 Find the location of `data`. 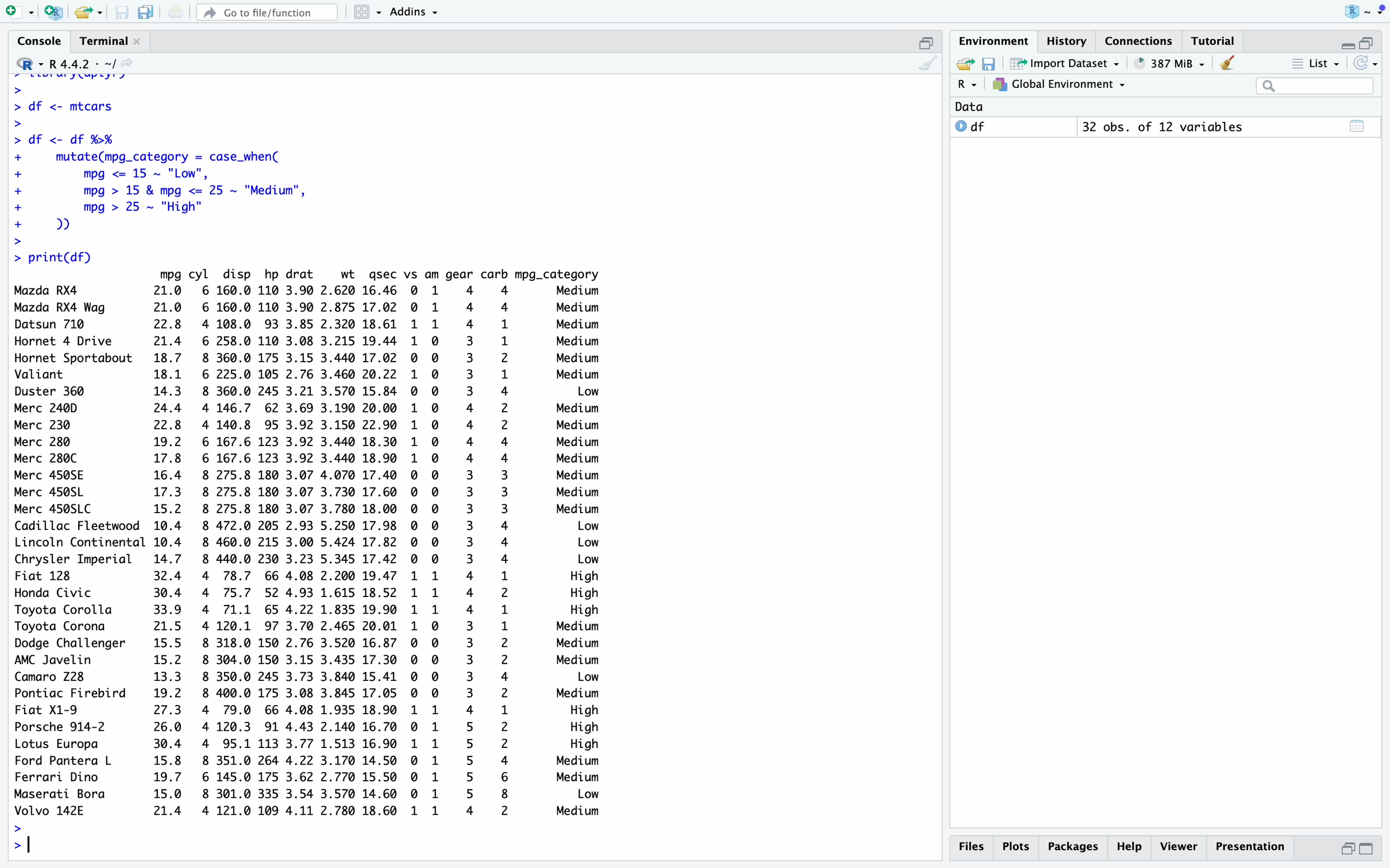

data is located at coordinates (970, 106).